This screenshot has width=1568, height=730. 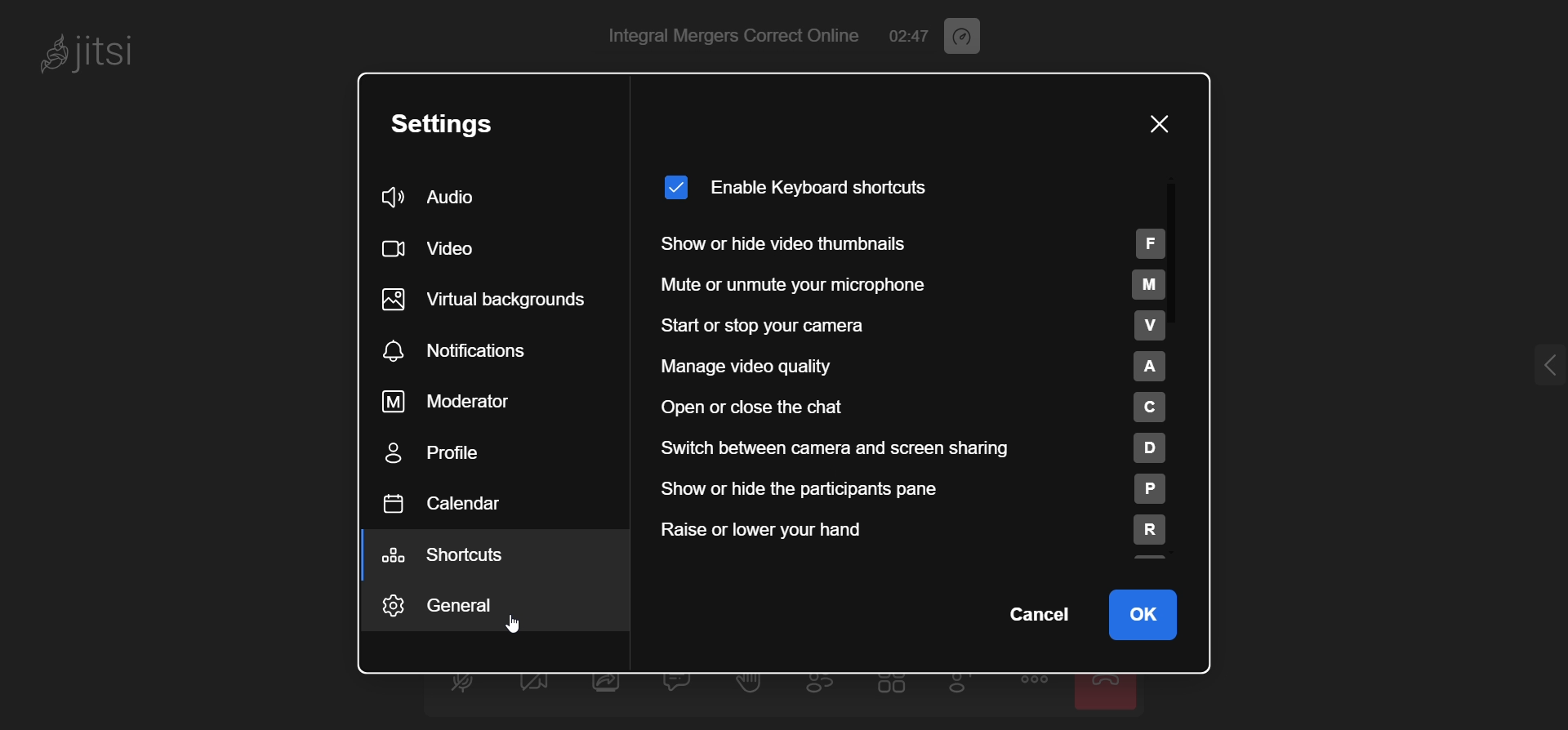 I want to click on calendar, so click(x=451, y=505).